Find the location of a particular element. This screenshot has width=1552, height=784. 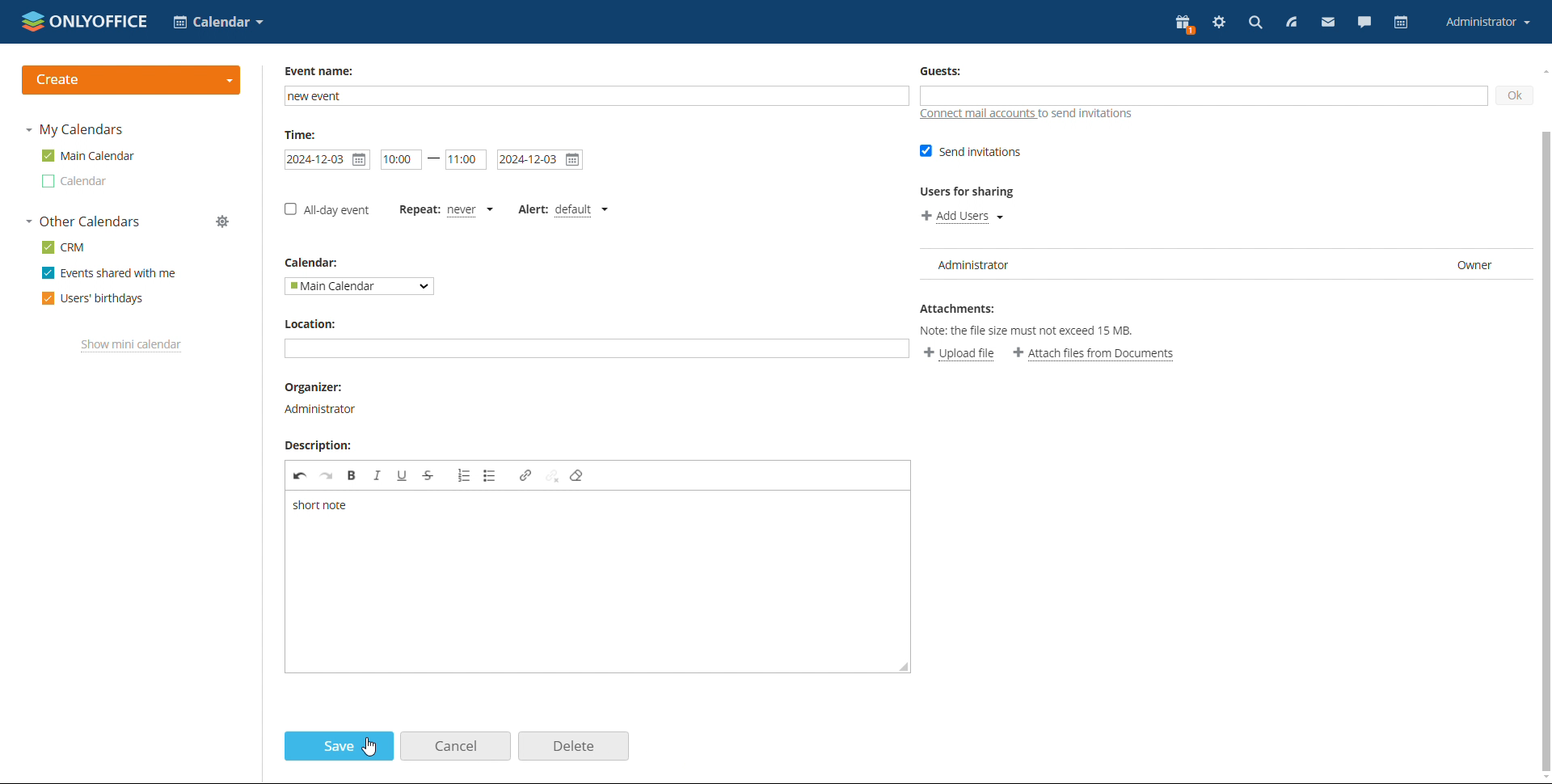

set alert is located at coordinates (563, 209).